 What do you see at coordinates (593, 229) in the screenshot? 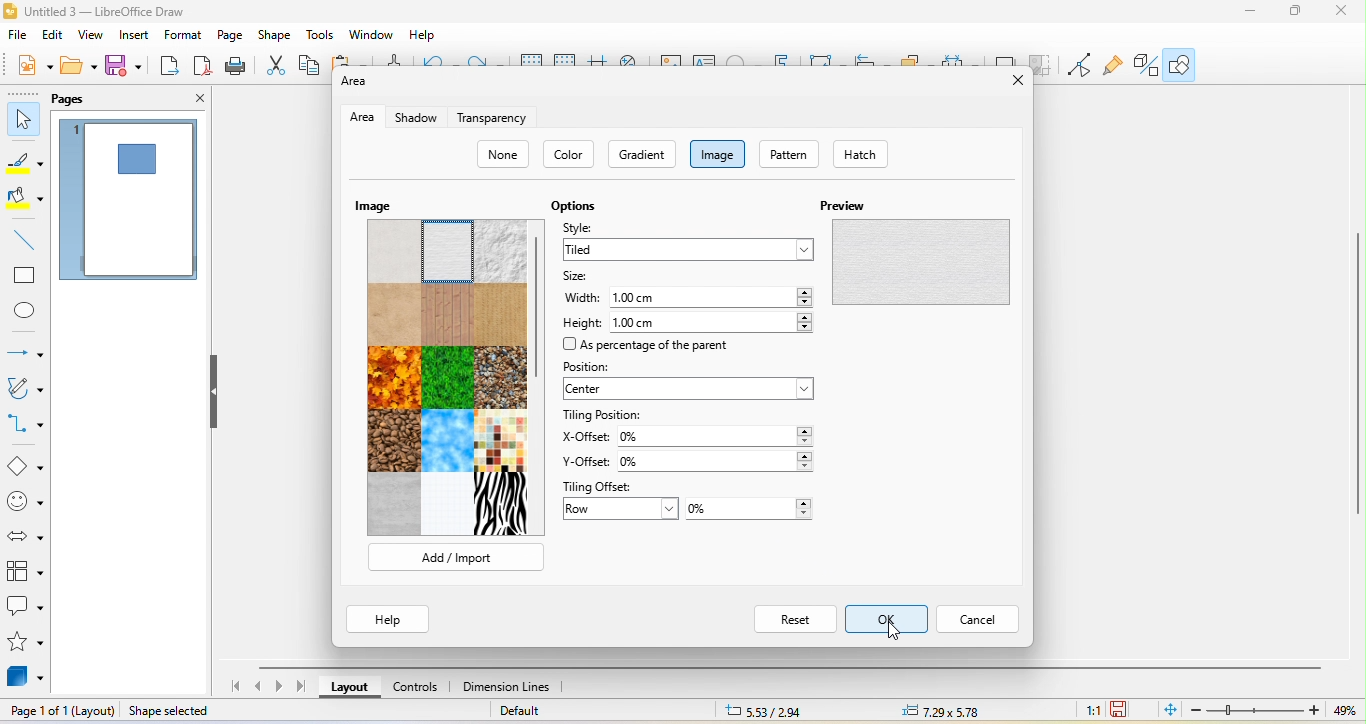
I see `style` at bounding box center [593, 229].